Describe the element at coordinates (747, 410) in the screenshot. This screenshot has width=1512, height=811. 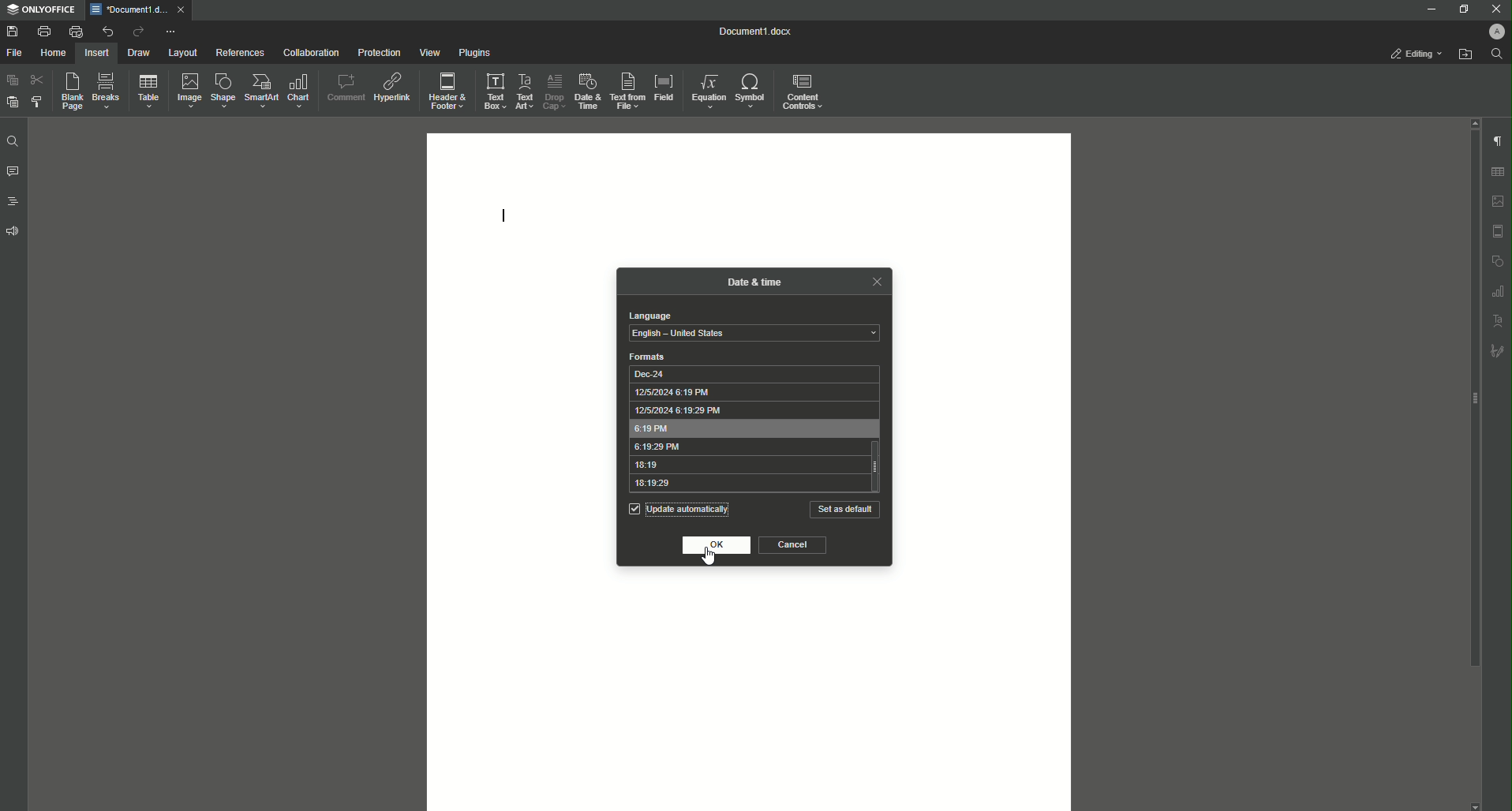
I see `12/5/2024 6:19:29 PM` at that location.